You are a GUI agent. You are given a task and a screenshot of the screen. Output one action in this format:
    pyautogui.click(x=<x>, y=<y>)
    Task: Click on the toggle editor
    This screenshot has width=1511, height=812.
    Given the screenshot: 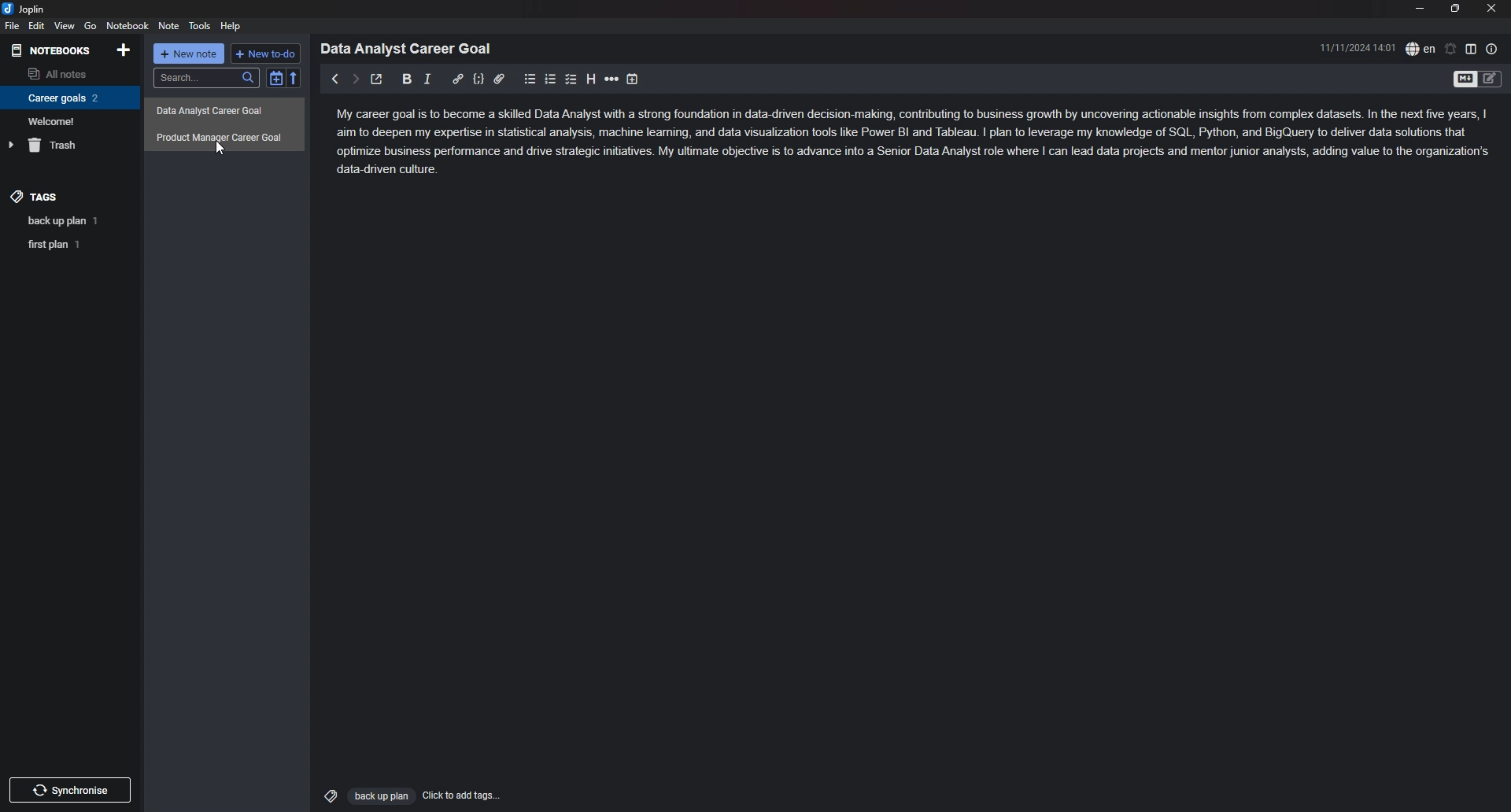 What is the action you would take?
    pyautogui.click(x=1464, y=80)
    